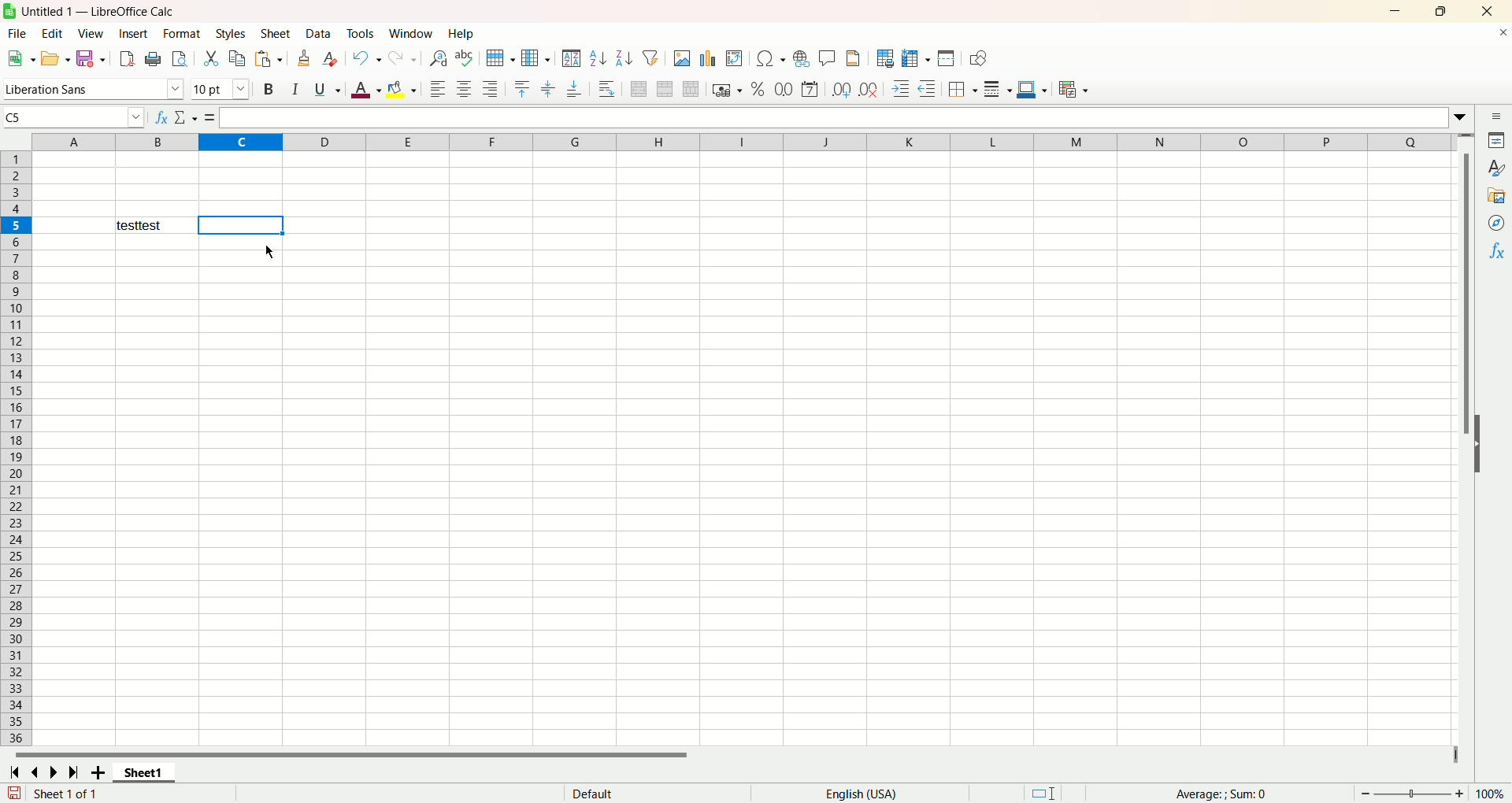 The width and height of the screenshot is (1512, 803). What do you see at coordinates (54, 773) in the screenshot?
I see `go to next page` at bounding box center [54, 773].